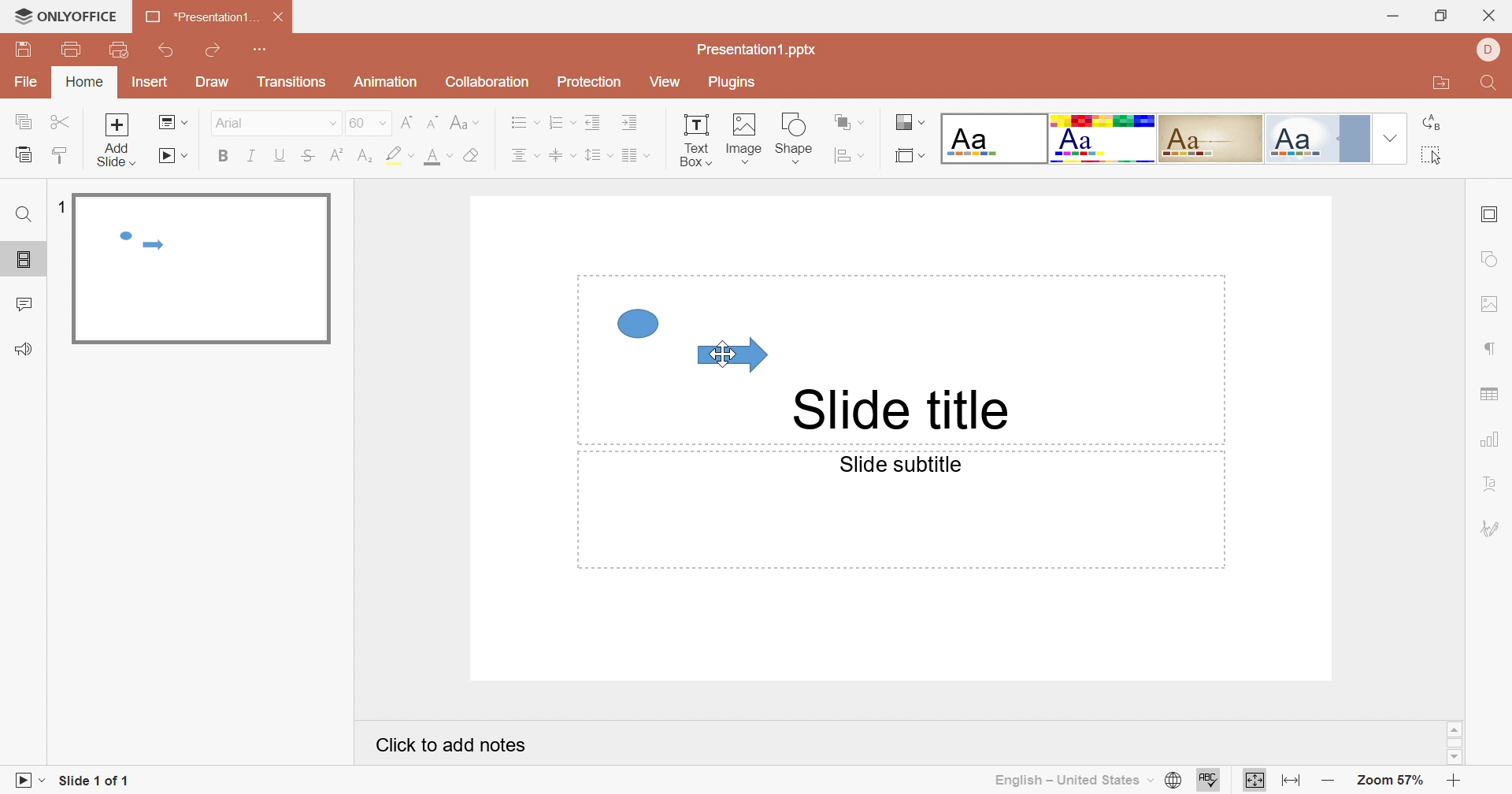 This screenshot has height=794, width=1512. Describe the element at coordinates (1491, 50) in the screenshot. I see `DELL` at that location.